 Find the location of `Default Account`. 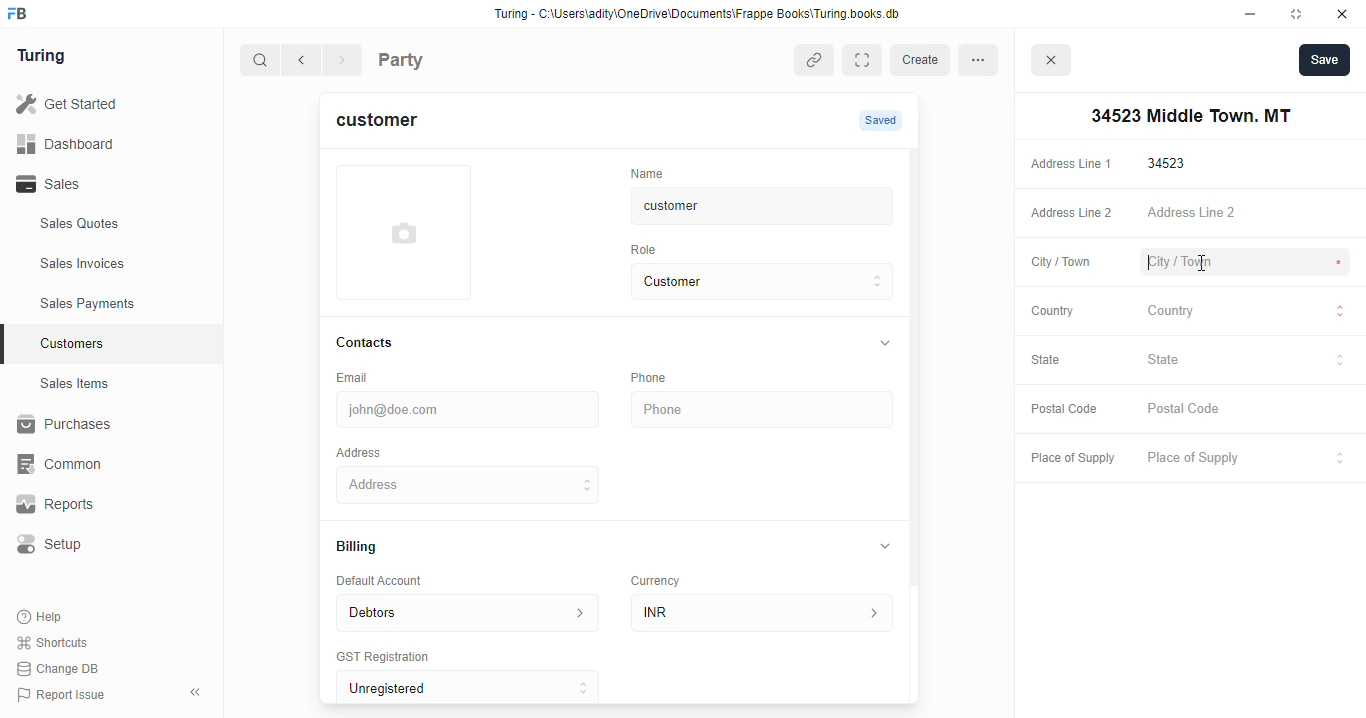

Default Account is located at coordinates (395, 580).